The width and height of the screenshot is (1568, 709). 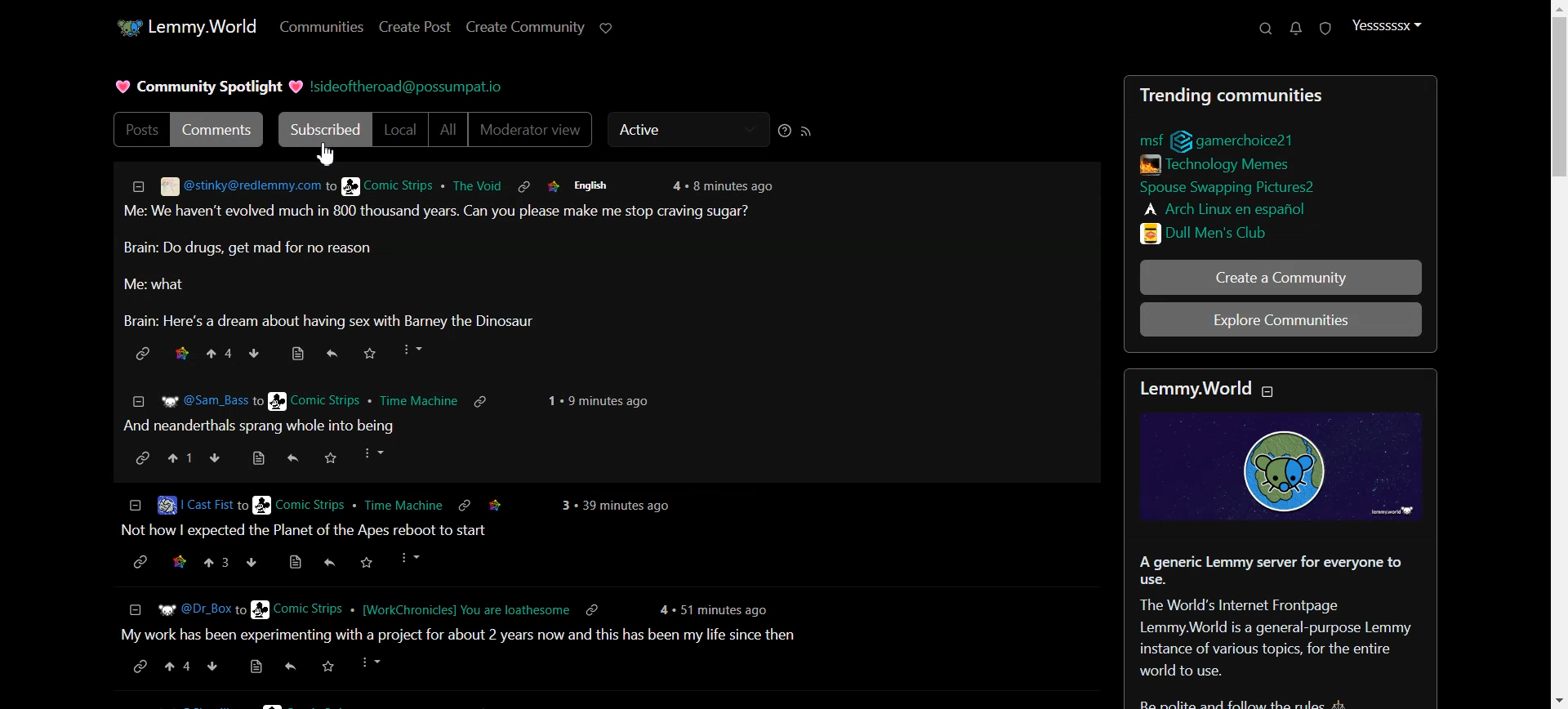 What do you see at coordinates (1280, 277) in the screenshot?
I see `Create a Community` at bounding box center [1280, 277].